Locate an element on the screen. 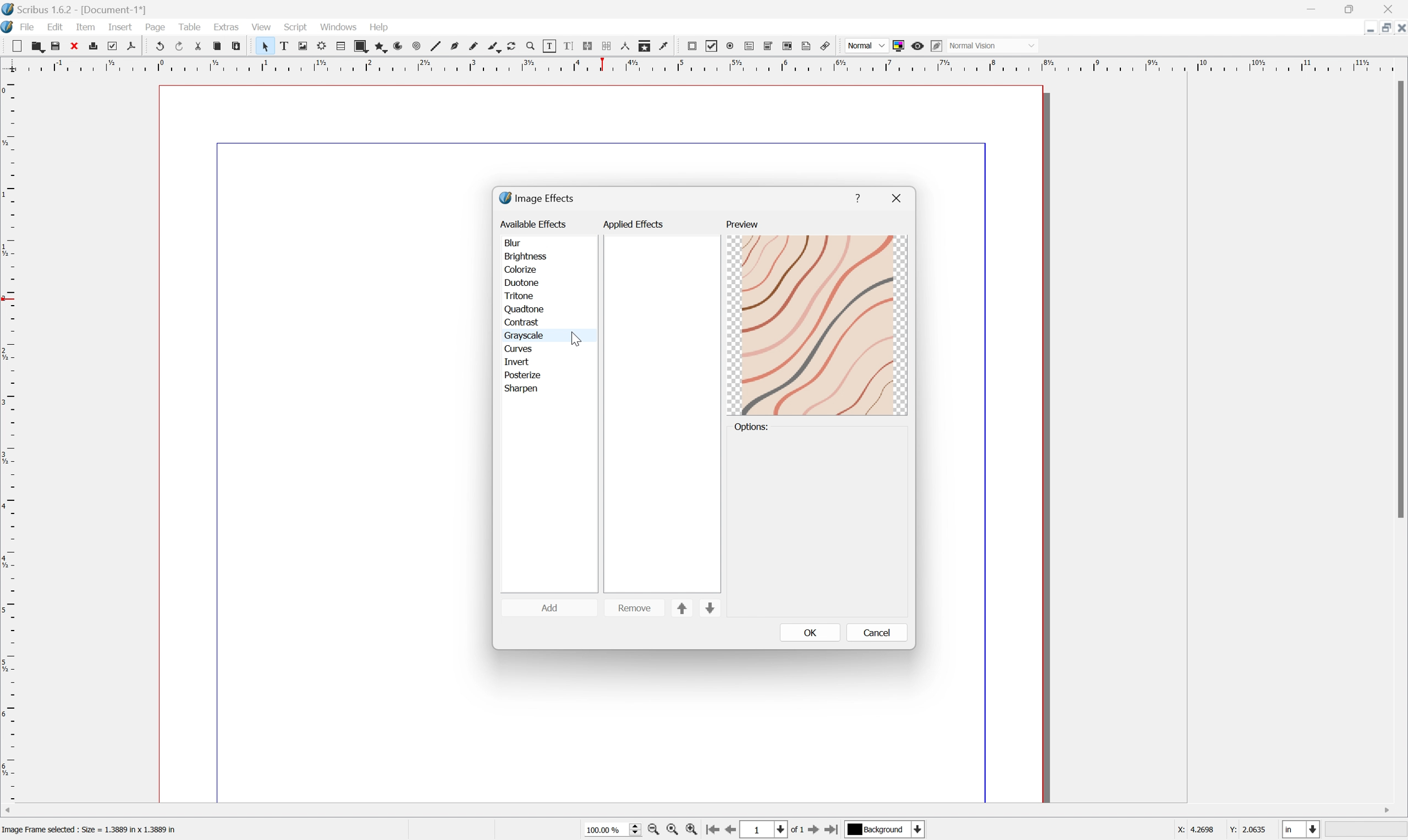 The width and height of the screenshot is (1408, 840). Zoom out by the stepping value in tools preferences is located at coordinates (653, 832).